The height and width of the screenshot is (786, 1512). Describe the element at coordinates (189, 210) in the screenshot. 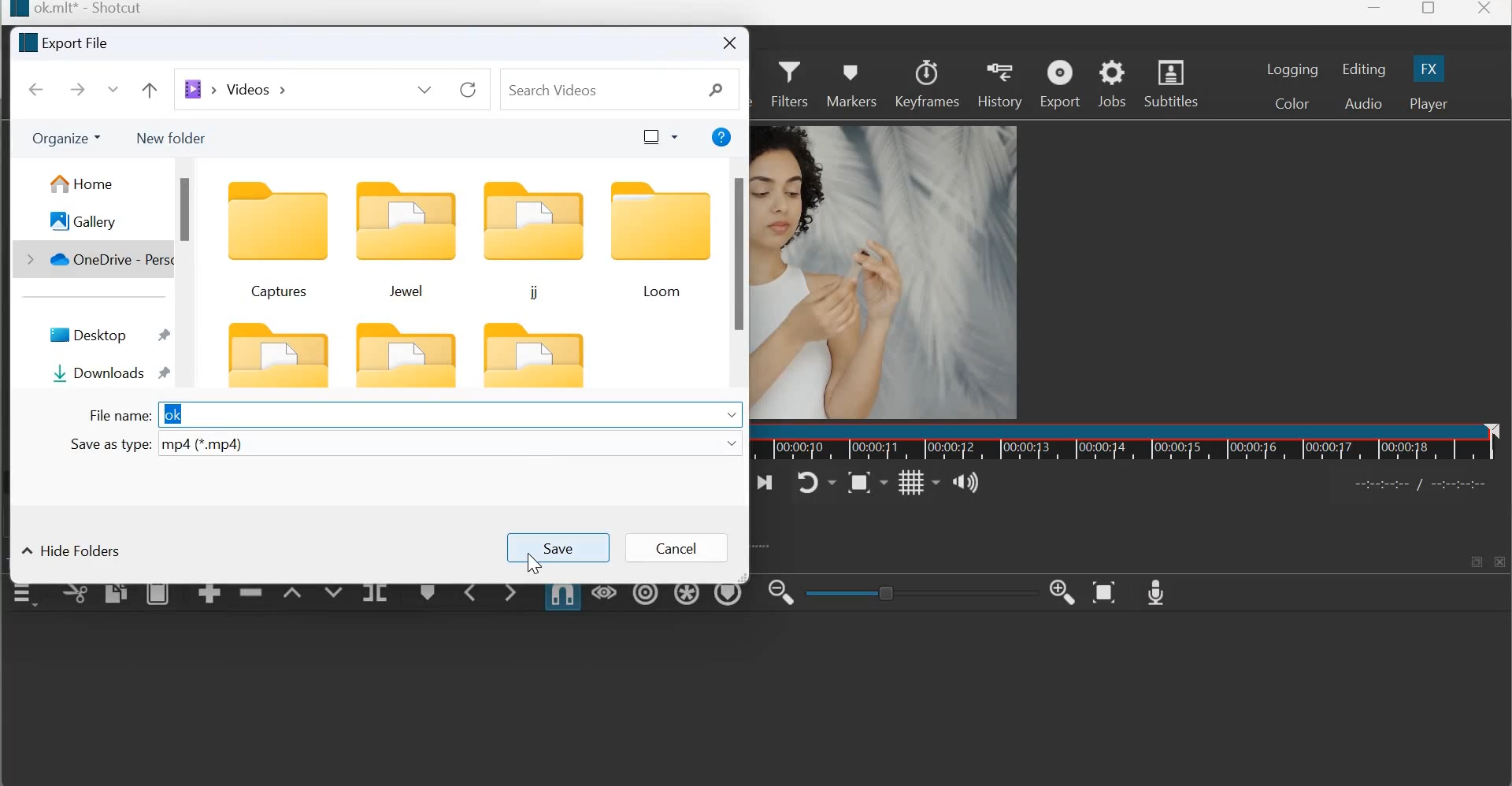

I see `scroll bar` at that location.